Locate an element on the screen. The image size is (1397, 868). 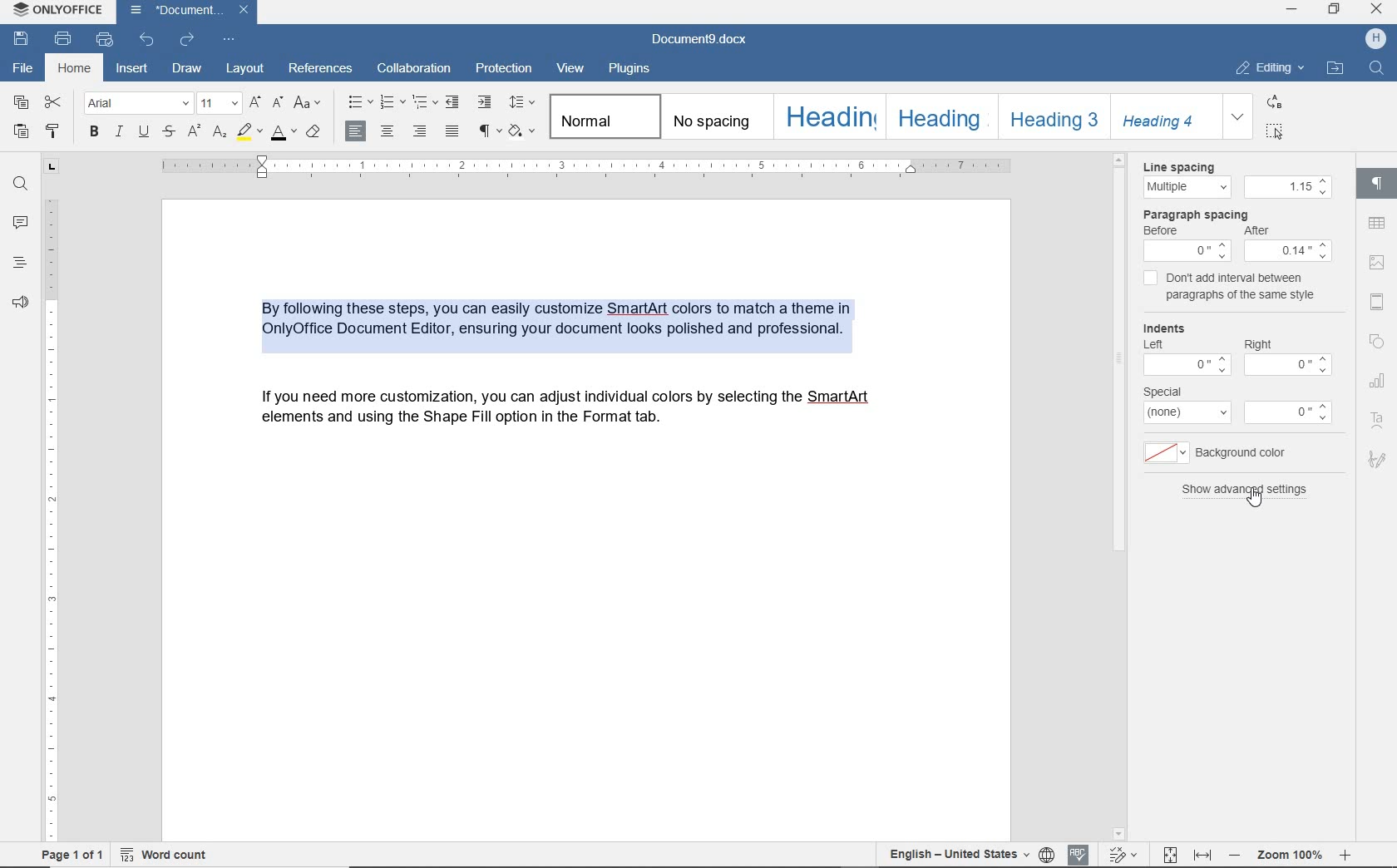
align left is located at coordinates (357, 130).